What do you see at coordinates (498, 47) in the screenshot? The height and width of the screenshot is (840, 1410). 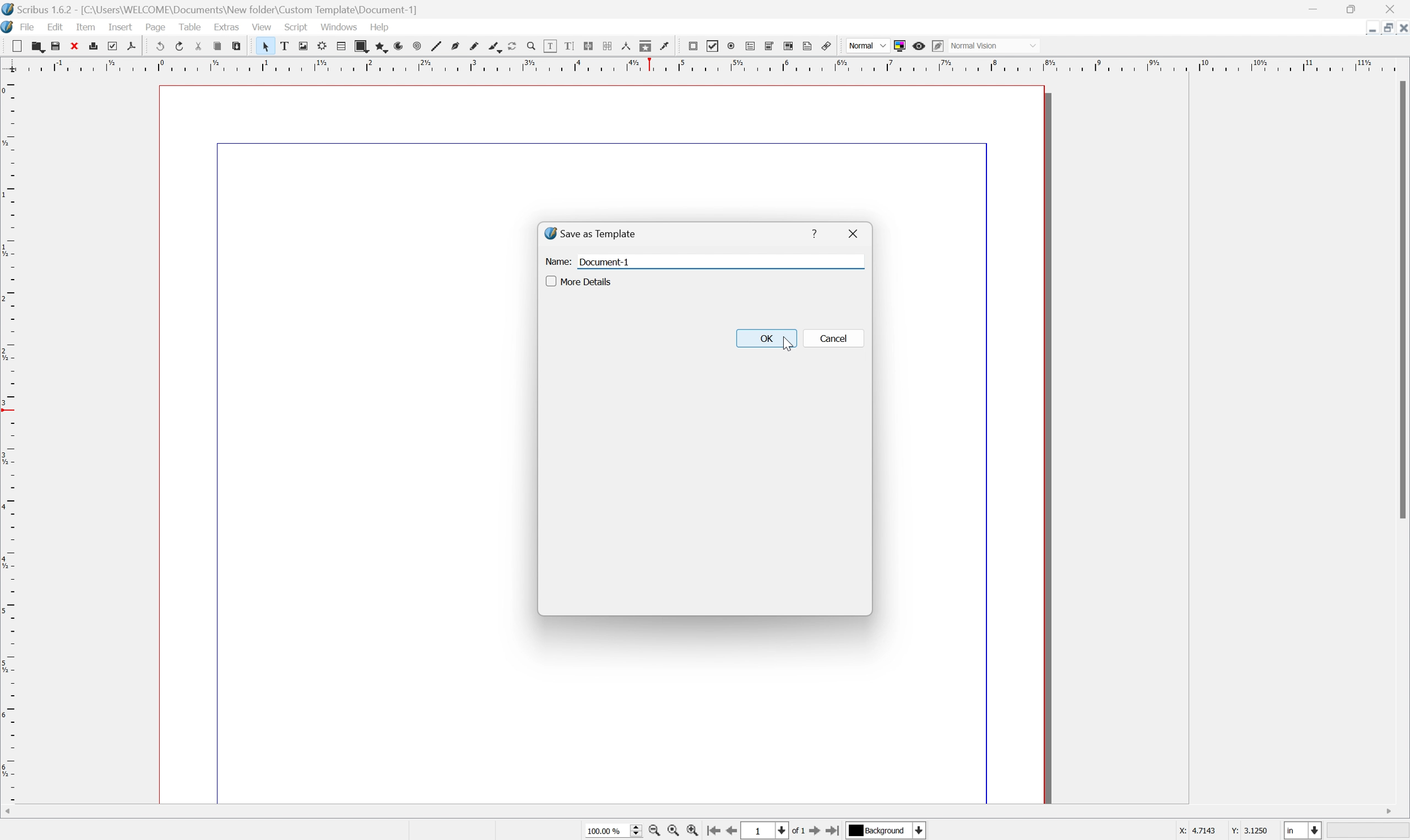 I see `calligraphic line` at bounding box center [498, 47].